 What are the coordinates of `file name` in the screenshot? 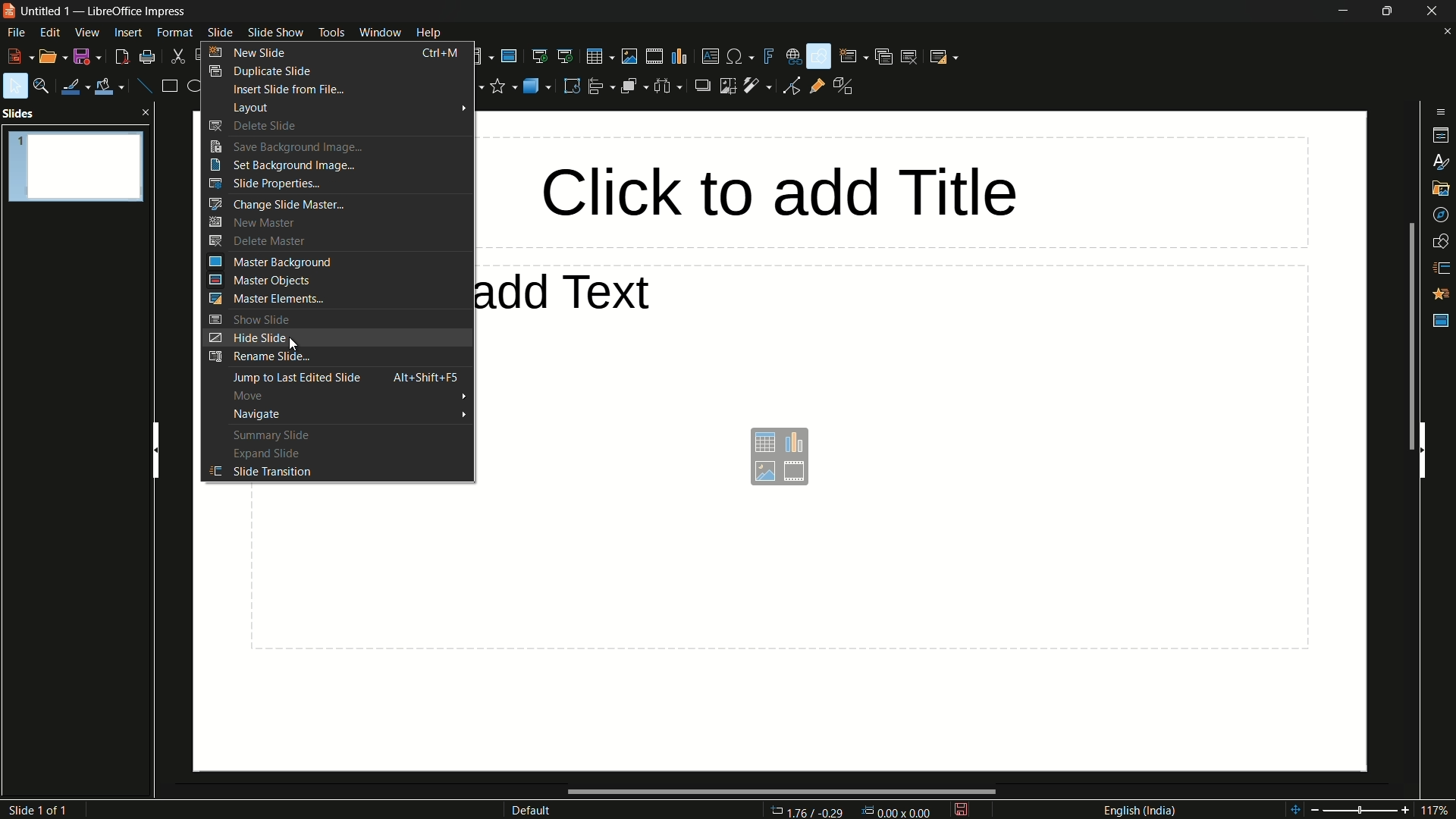 It's located at (52, 9).